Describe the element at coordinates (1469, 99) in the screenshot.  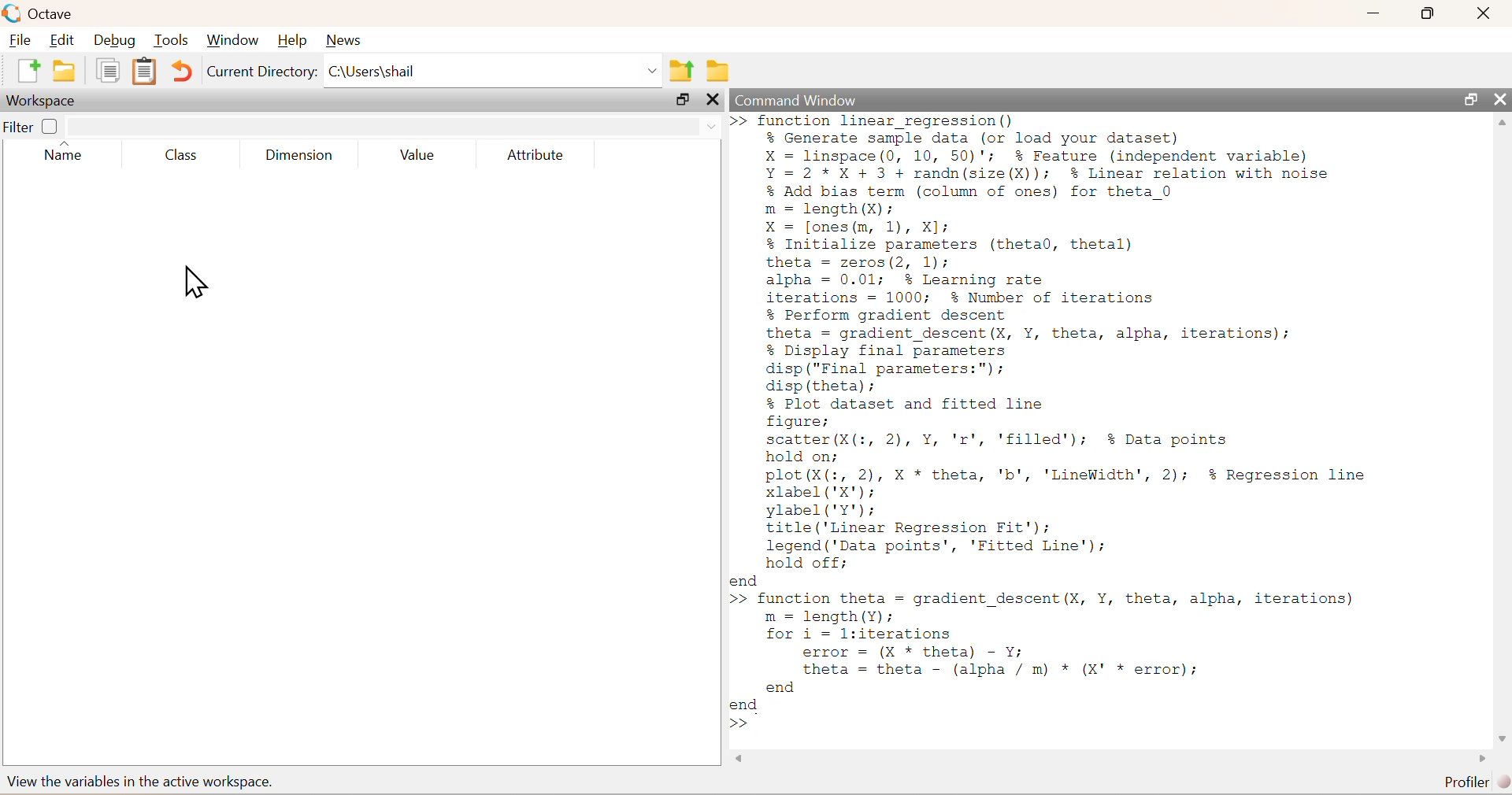
I see `resize` at that location.